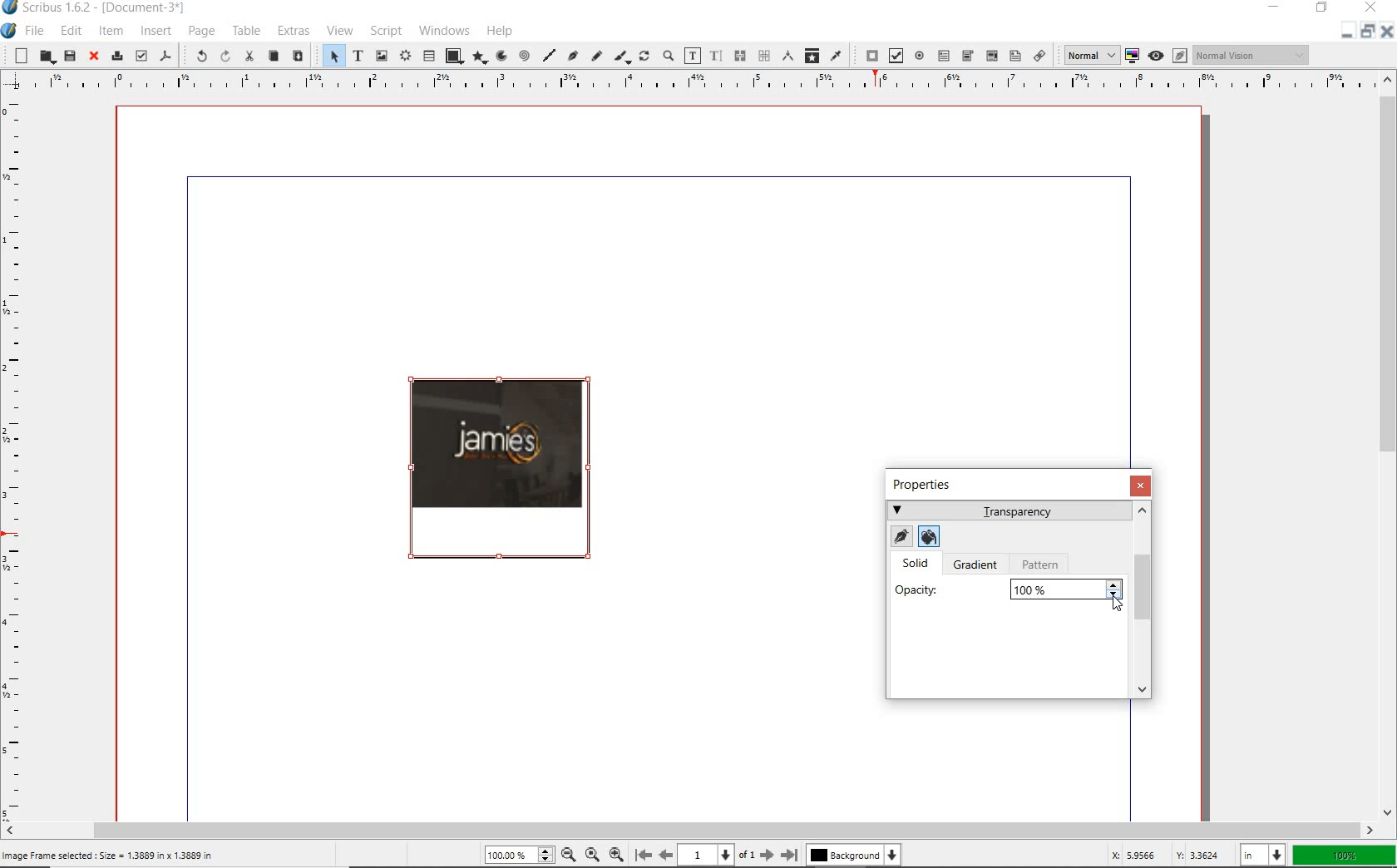 Image resolution: width=1397 pixels, height=868 pixels. I want to click on INSERT, so click(156, 32).